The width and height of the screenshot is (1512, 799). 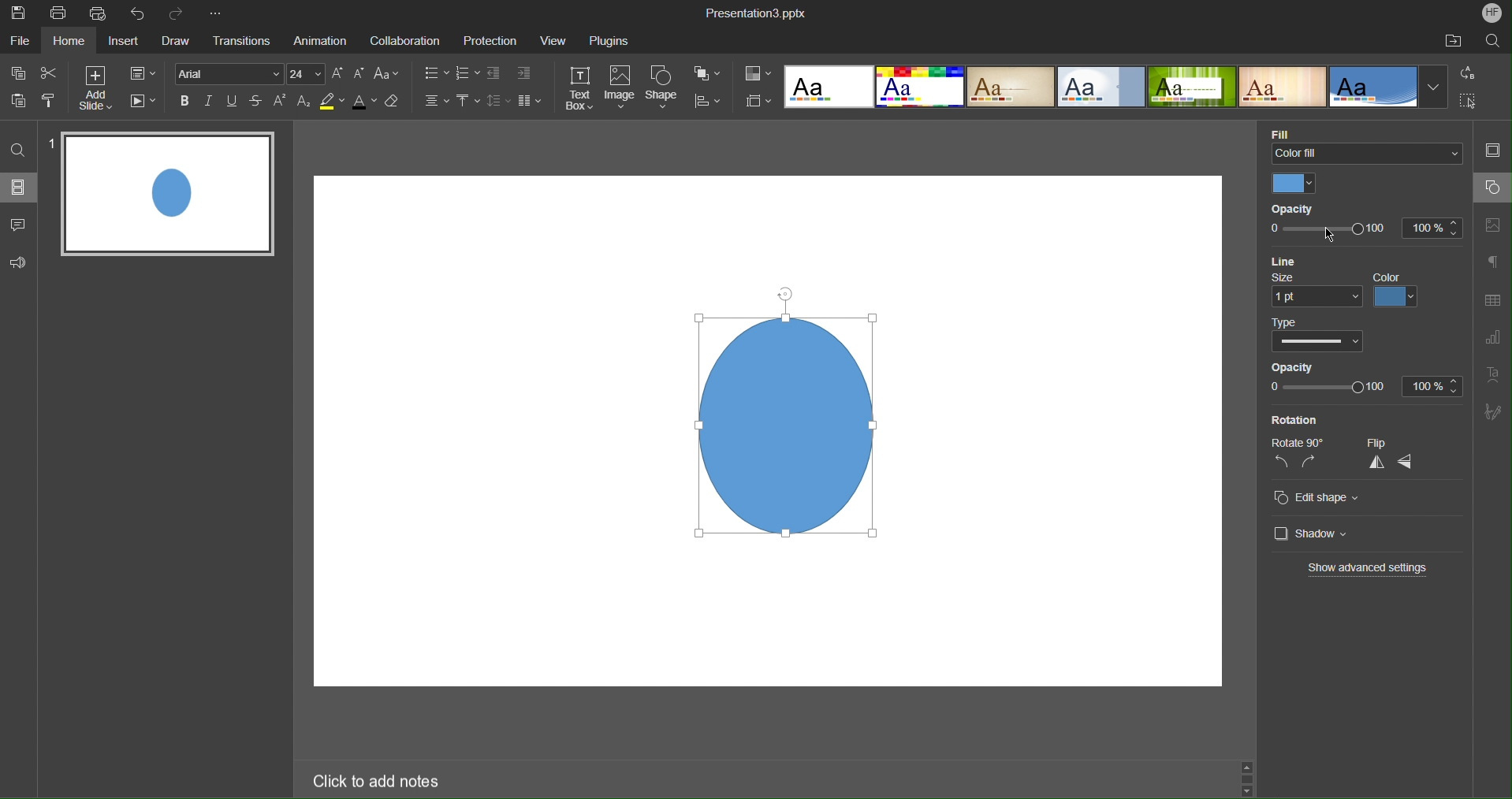 What do you see at coordinates (1362, 380) in the screenshot?
I see `Opacity` at bounding box center [1362, 380].